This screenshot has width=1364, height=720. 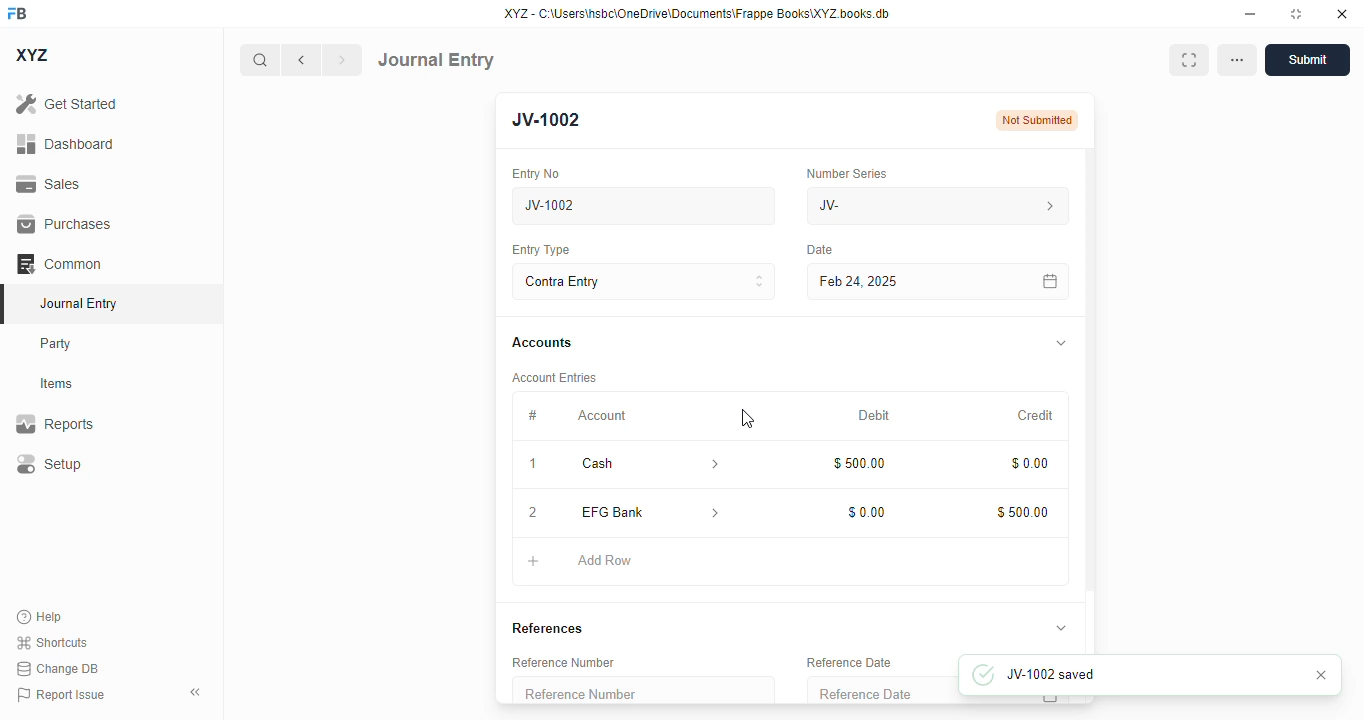 What do you see at coordinates (850, 662) in the screenshot?
I see `reference date` at bounding box center [850, 662].